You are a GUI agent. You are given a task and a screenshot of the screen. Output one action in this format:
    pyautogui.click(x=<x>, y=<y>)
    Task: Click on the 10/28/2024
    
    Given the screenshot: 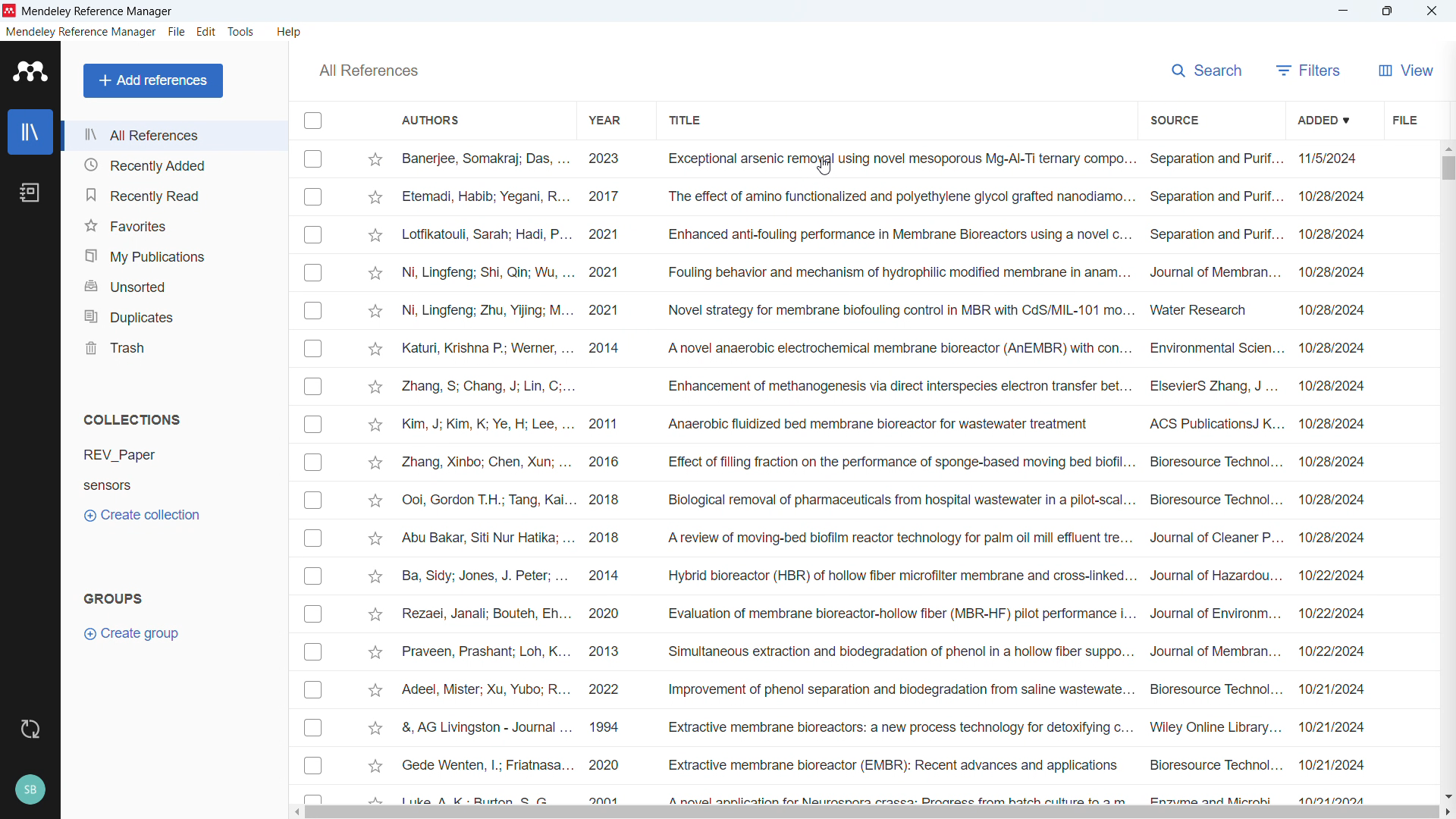 What is the action you would take?
    pyautogui.click(x=1346, y=386)
    